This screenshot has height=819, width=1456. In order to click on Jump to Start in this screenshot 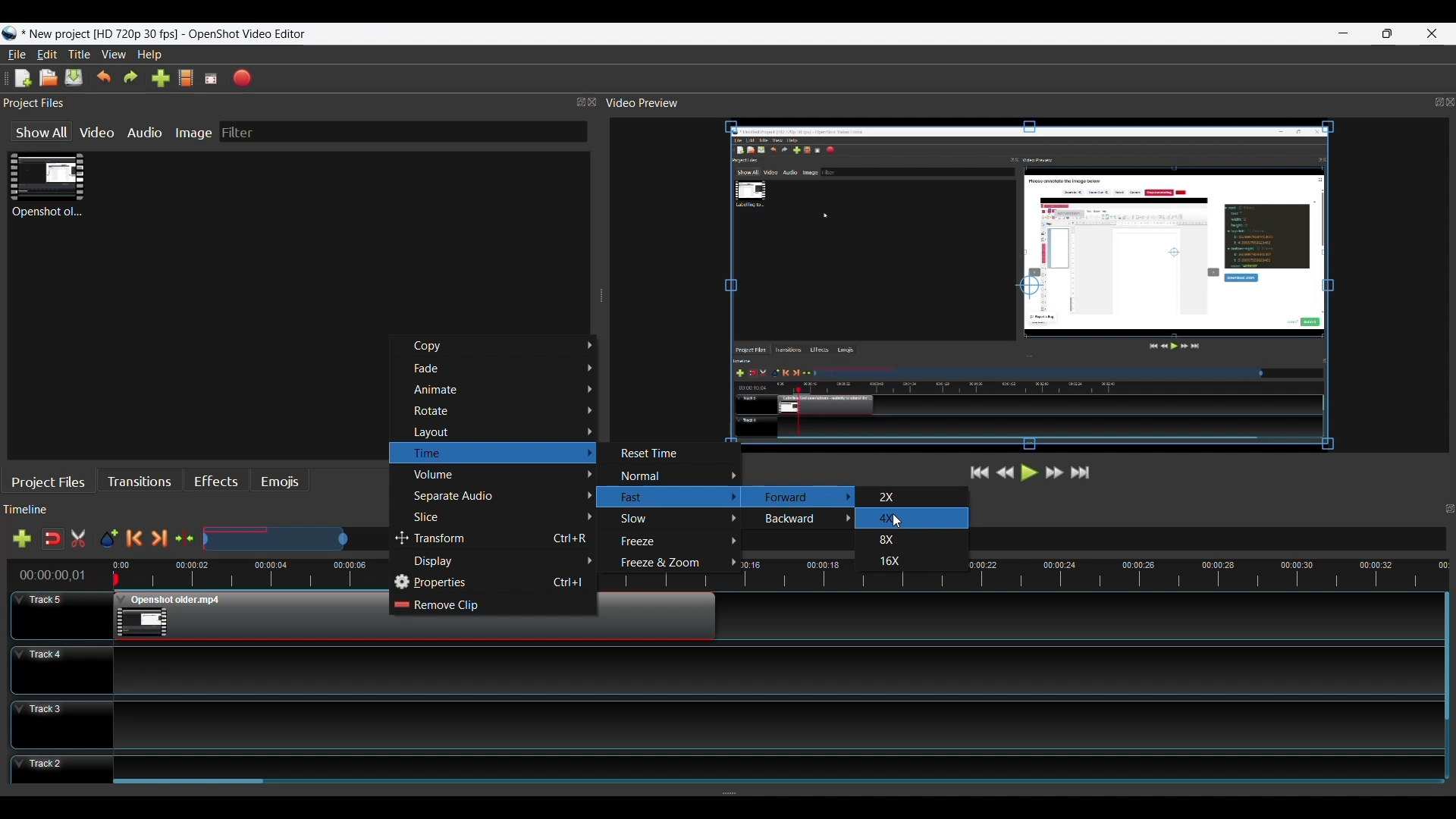, I will do `click(977, 472)`.